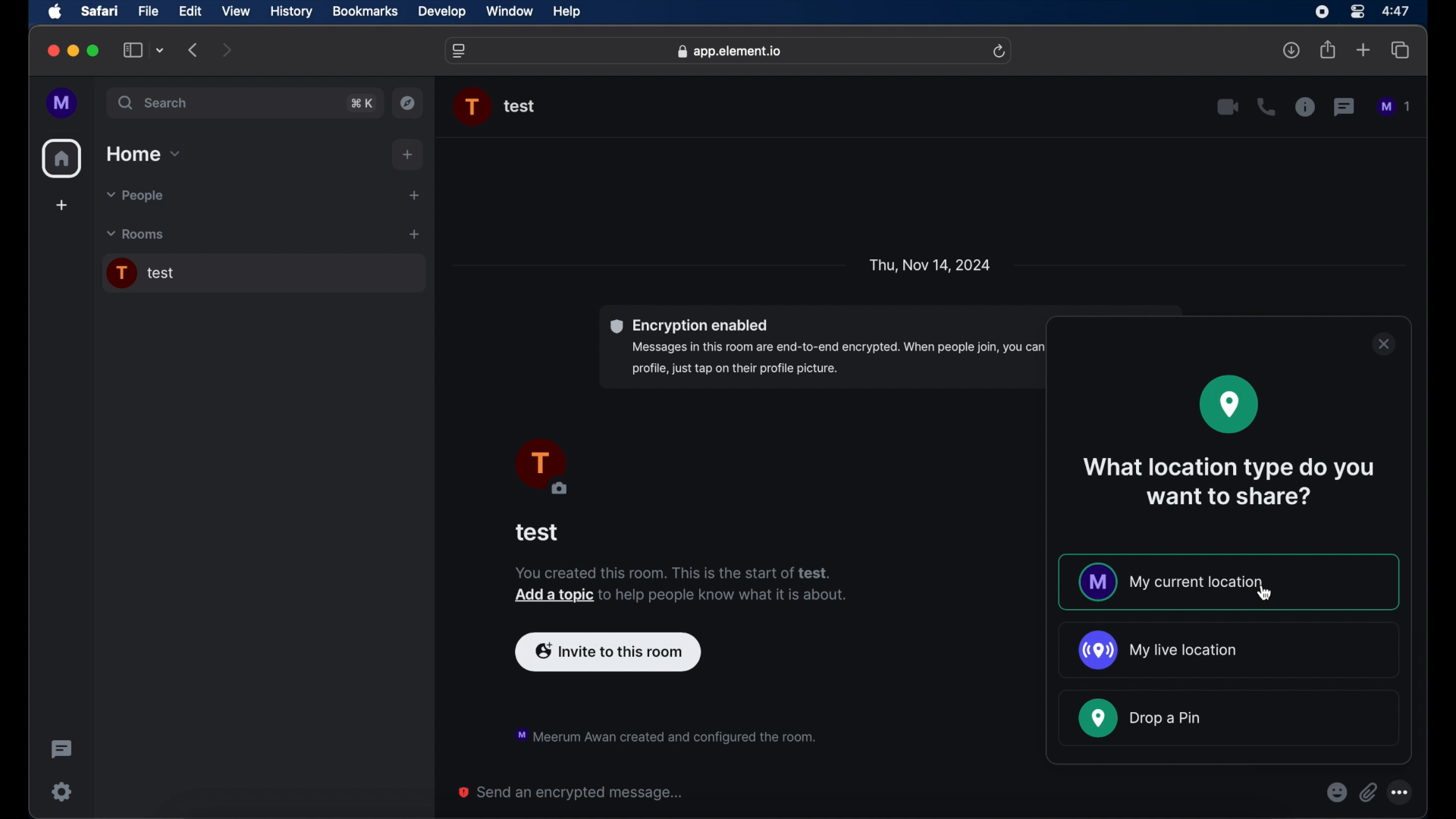 This screenshot has height=819, width=1456. What do you see at coordinates (132, 51) in the screenshot?
I see `show sidebar` at bounding box center [132, 51].